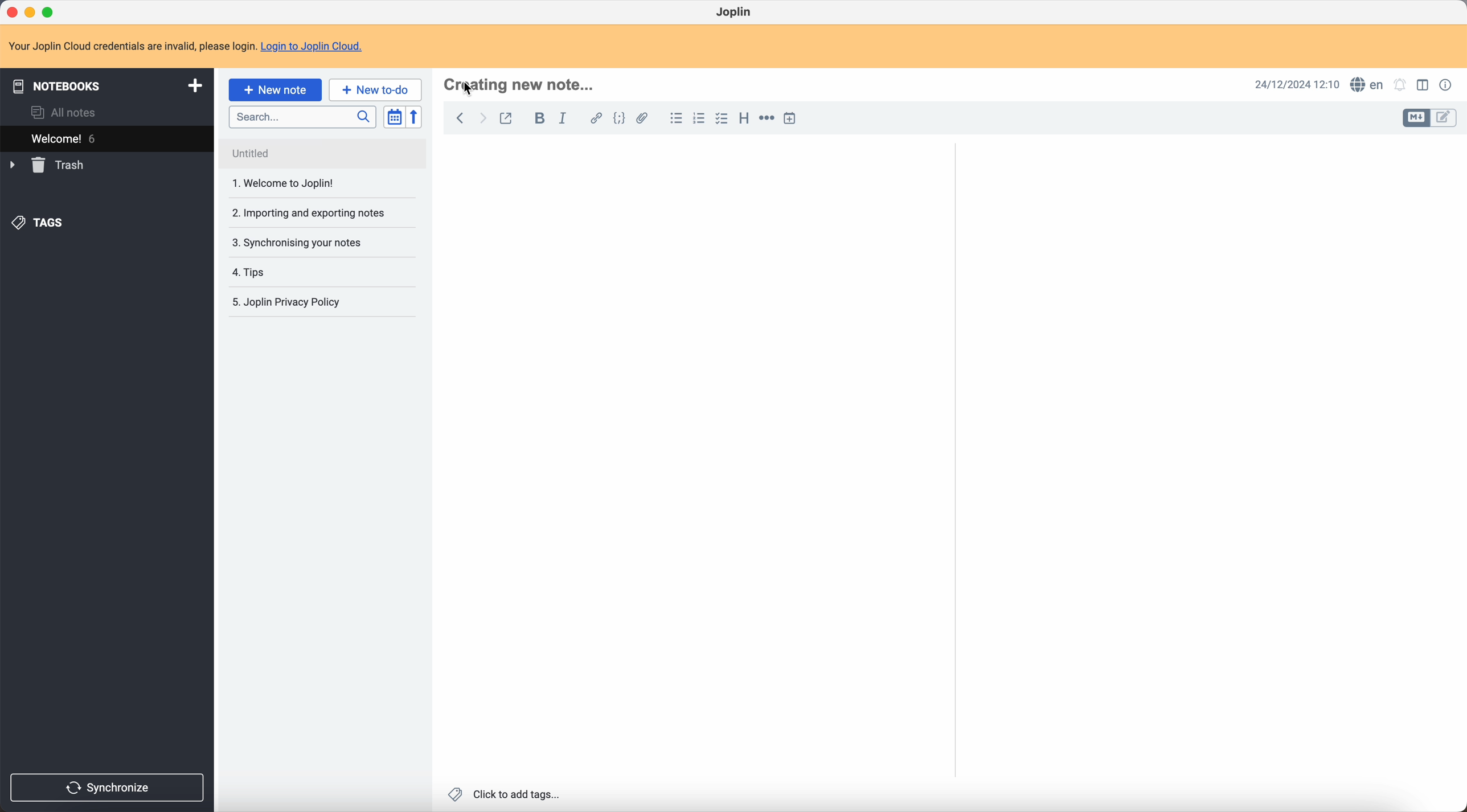  I want to click on reverse sort order, so click(416, 117).